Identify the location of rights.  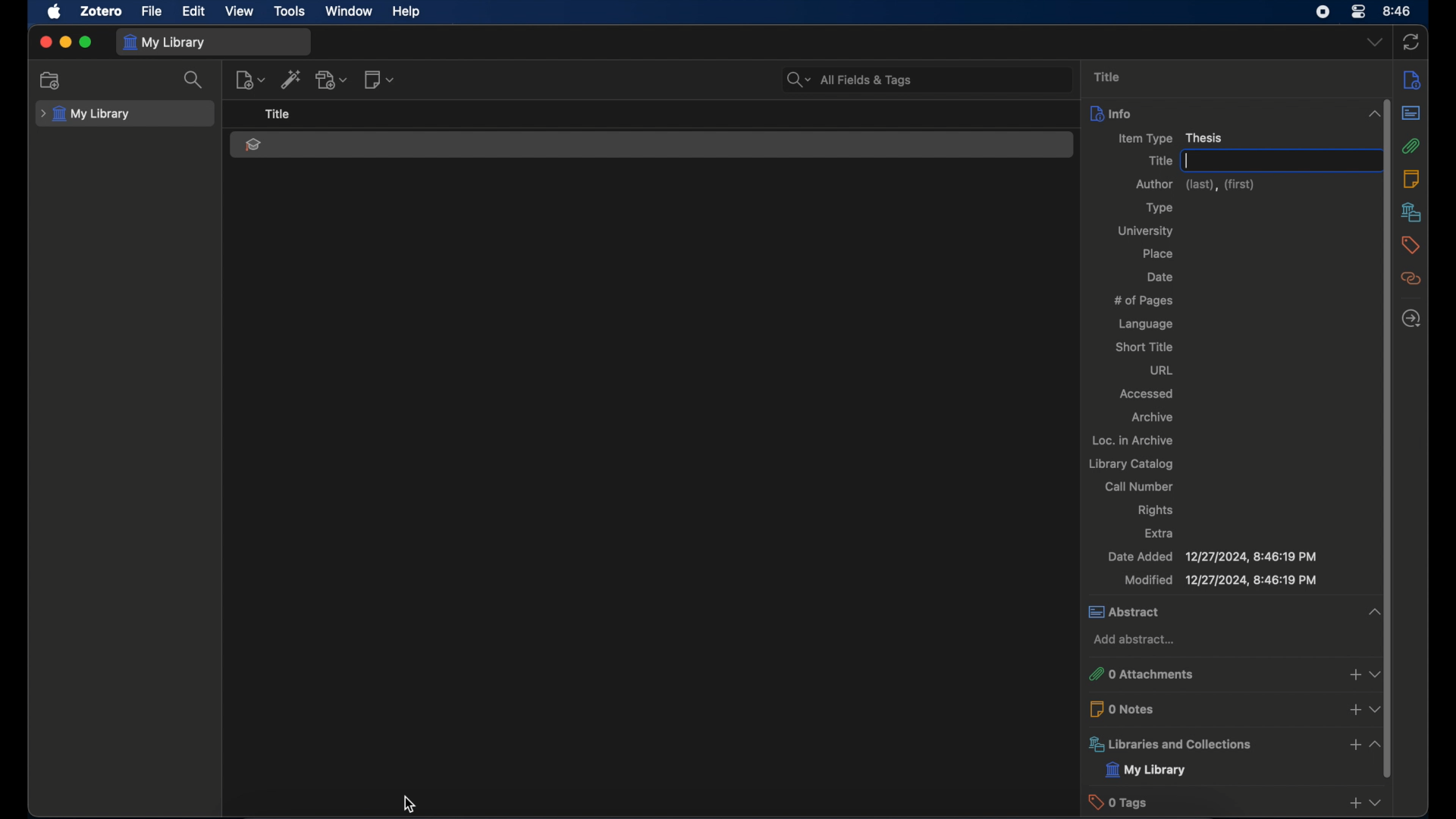
(1155, 510).